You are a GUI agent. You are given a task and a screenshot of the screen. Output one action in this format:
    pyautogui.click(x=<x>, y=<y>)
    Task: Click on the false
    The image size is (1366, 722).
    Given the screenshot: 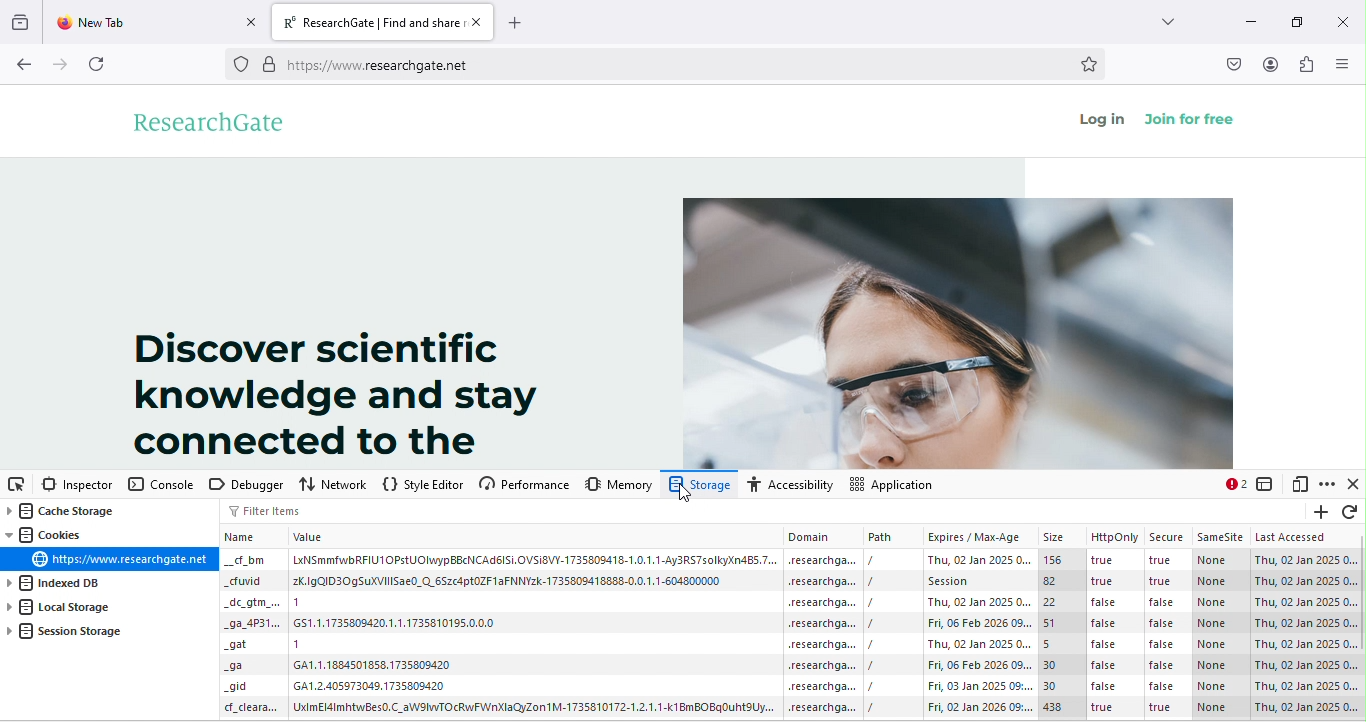 What is the action you would take?
    pyautogui.click(x=1104, y=623)
    